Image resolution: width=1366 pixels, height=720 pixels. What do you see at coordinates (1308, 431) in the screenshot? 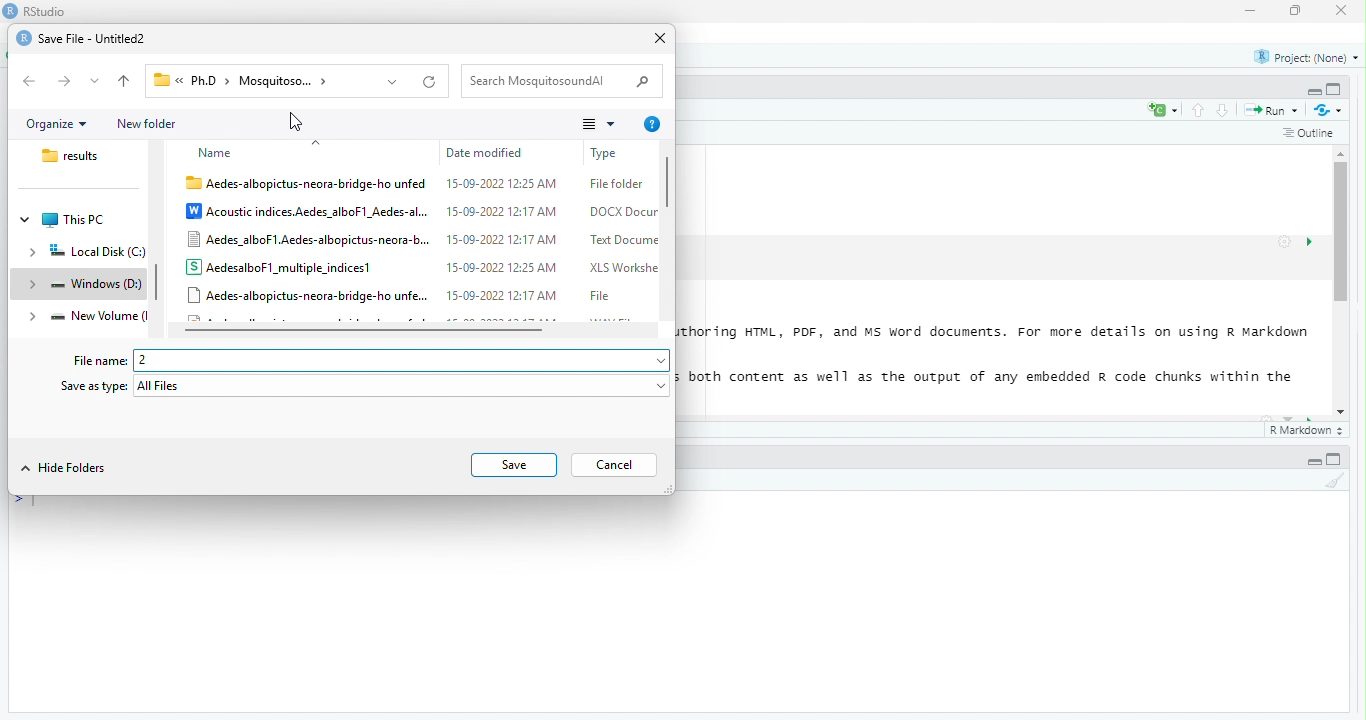
I see `R Markdown` at bounding box center [1308, 431].